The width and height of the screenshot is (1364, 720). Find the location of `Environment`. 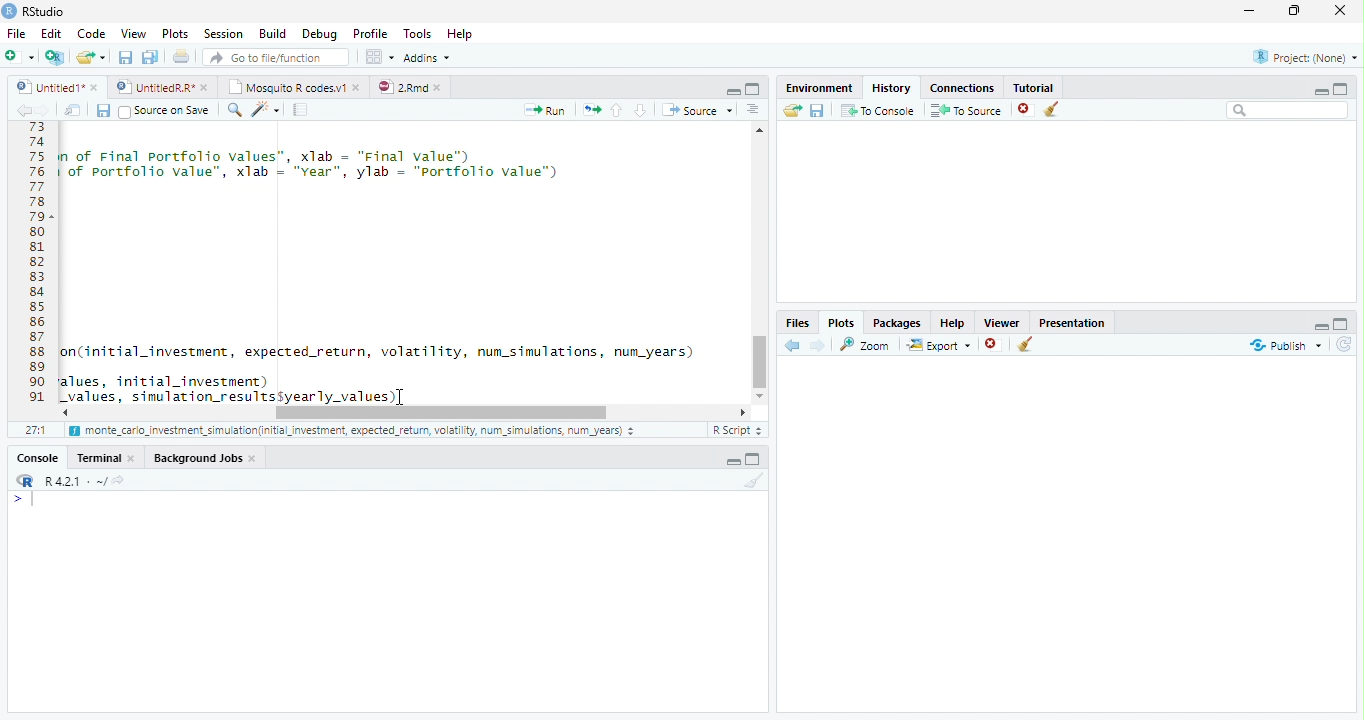

Environment is located at coordinates (819, 85).